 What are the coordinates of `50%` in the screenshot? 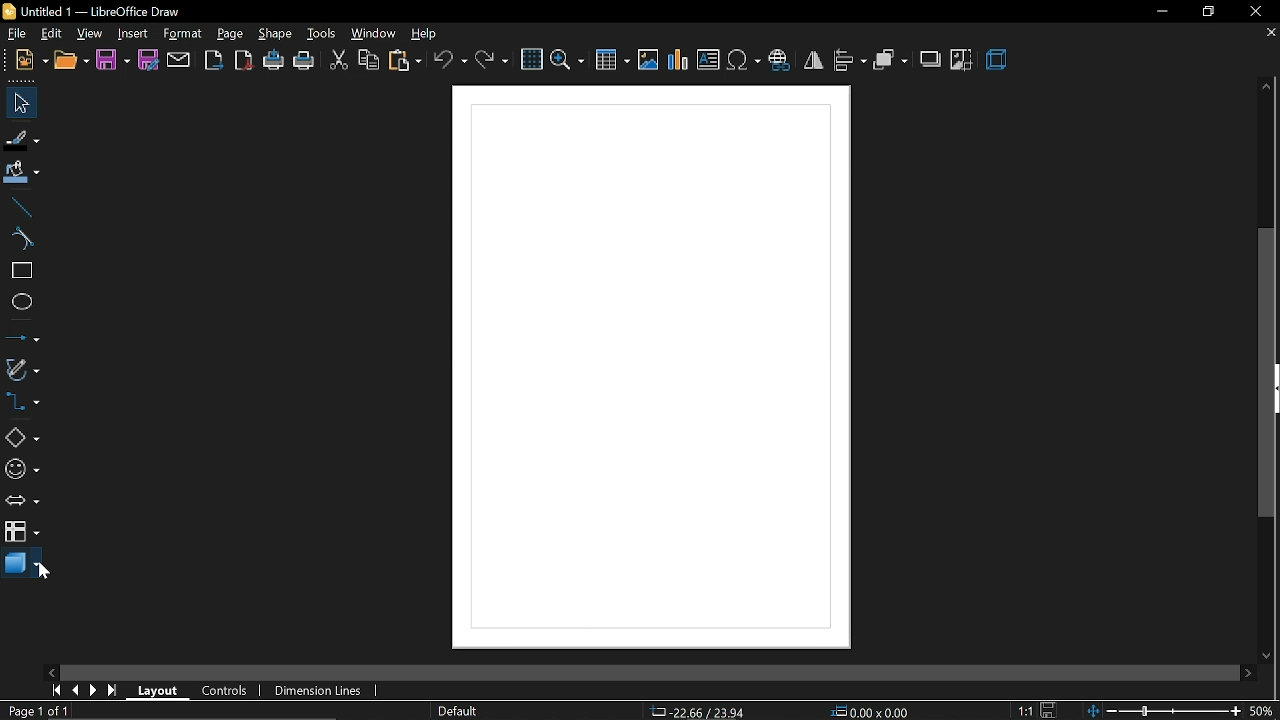 It's located at (1264, 710).